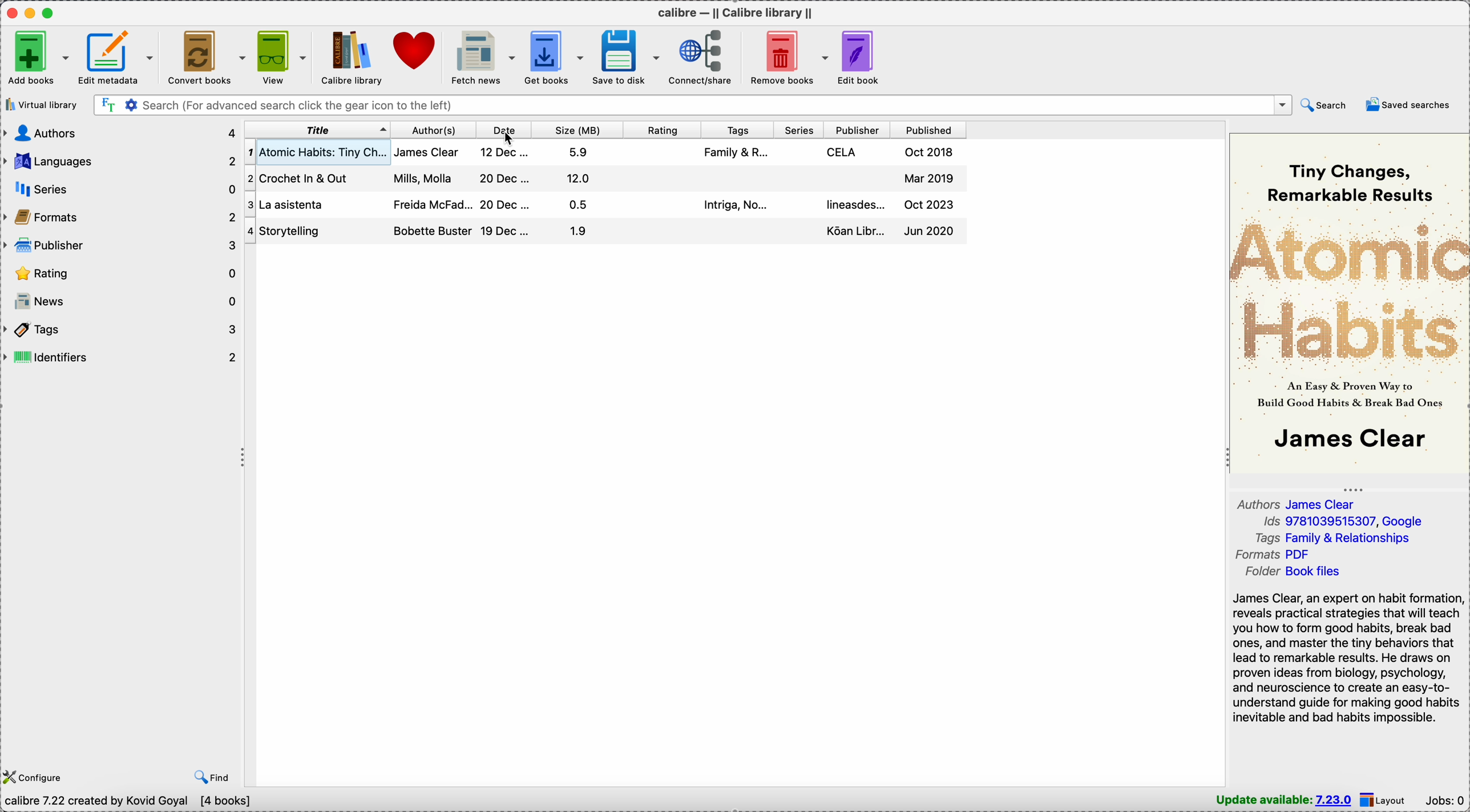 Image resolution: width=1470 pixels, height=812 pixels. I want to click on Atomic Habits: Tiny Changes book details, so click(601, 152).